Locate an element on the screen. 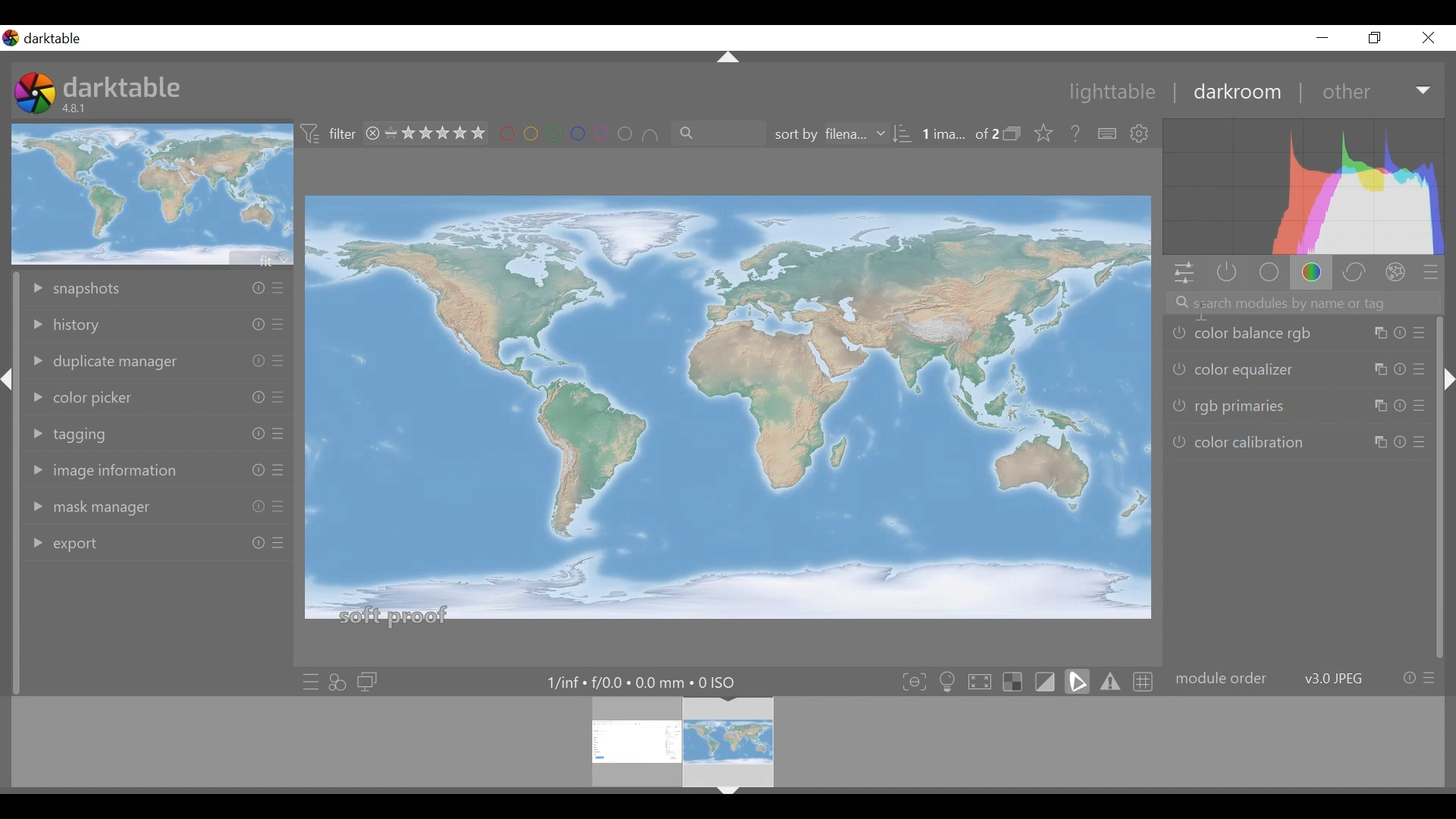   is located at coordinates (278, 399).